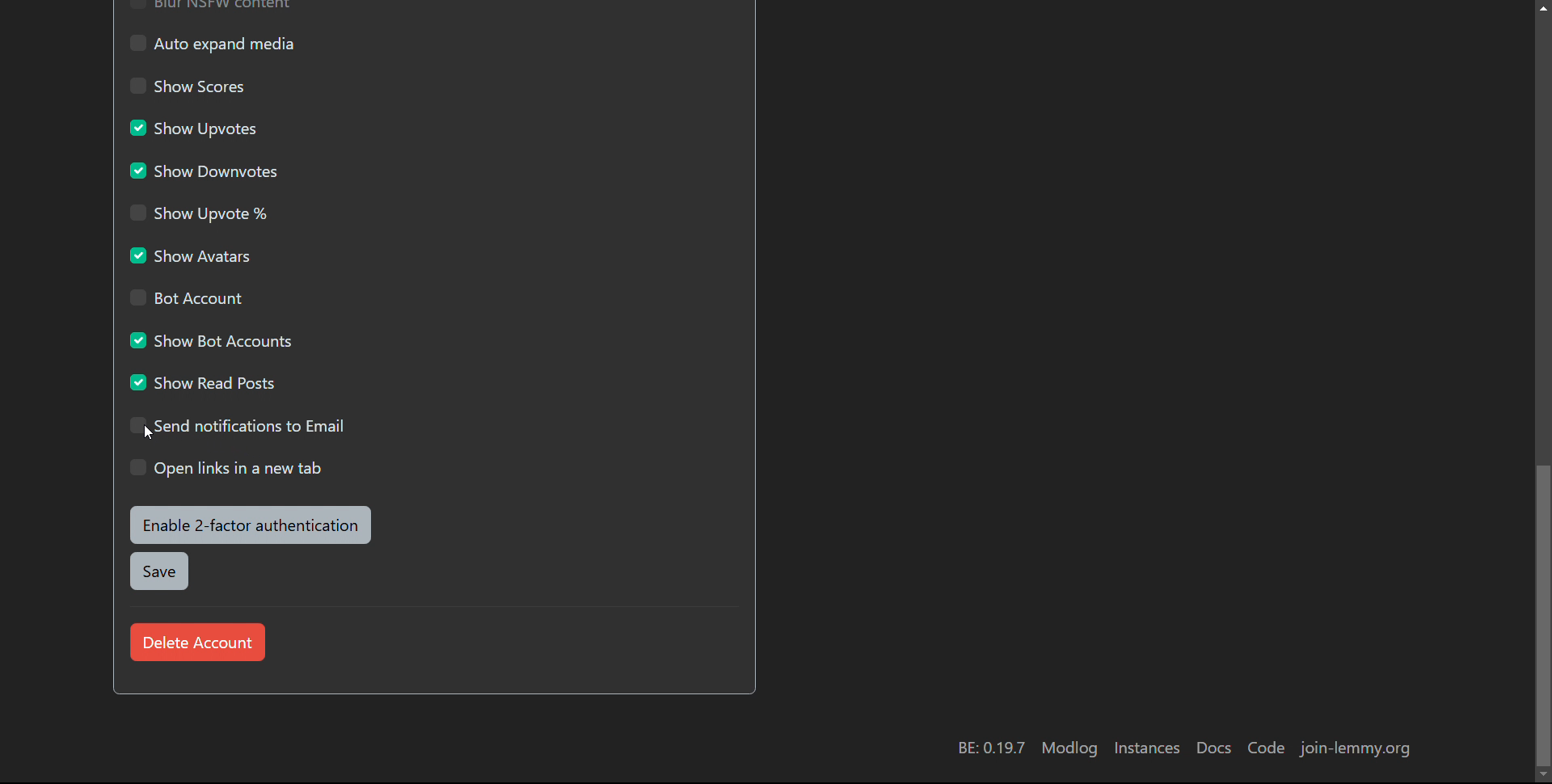 This screenshot has height=784, width=1552. Describe the element at coordinates (1356, 748) in the screenshot. I see `join-lemmy.org` at that location.